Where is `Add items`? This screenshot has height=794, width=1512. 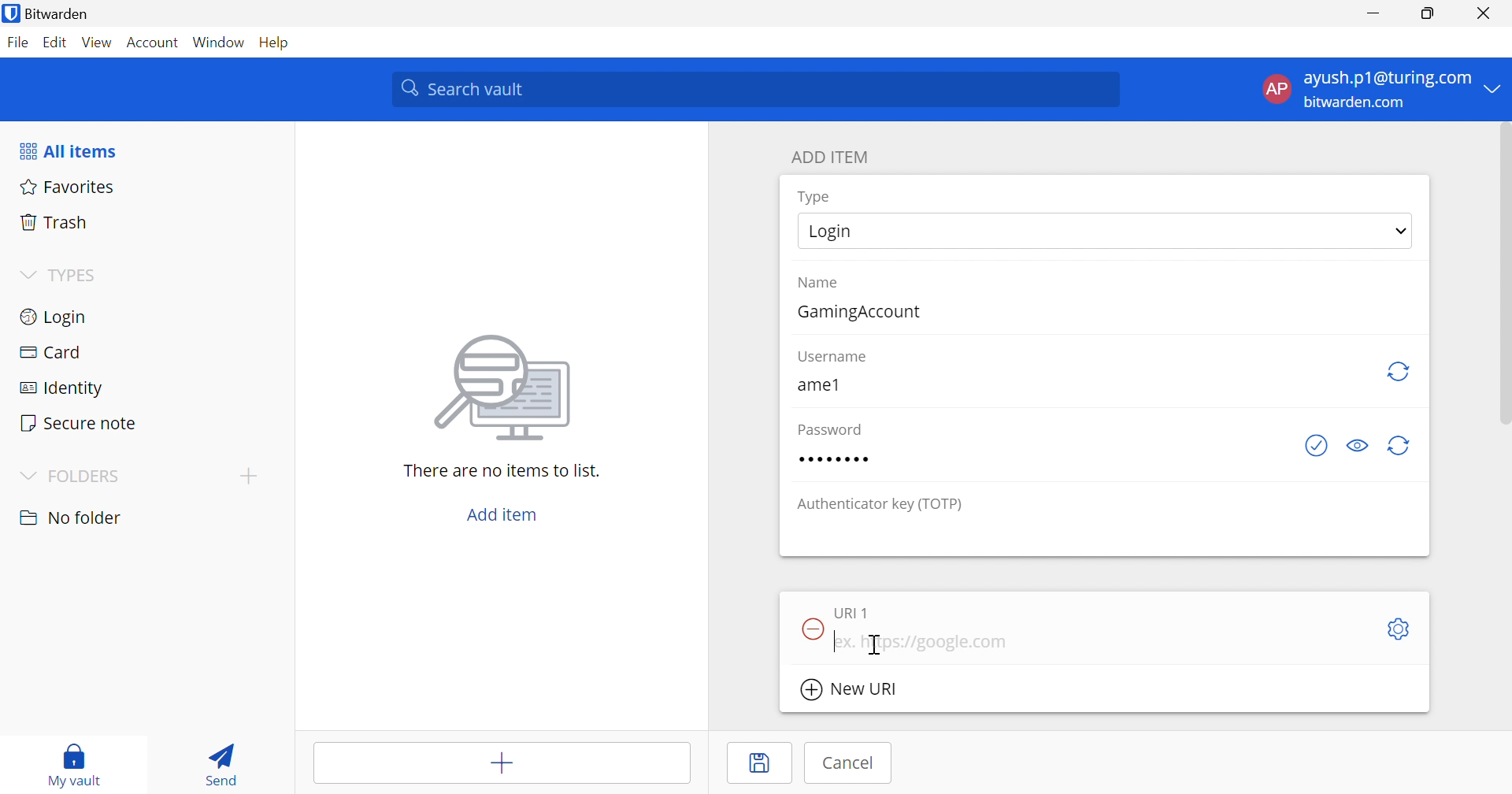 Add items is located at coordinates (499, 763).